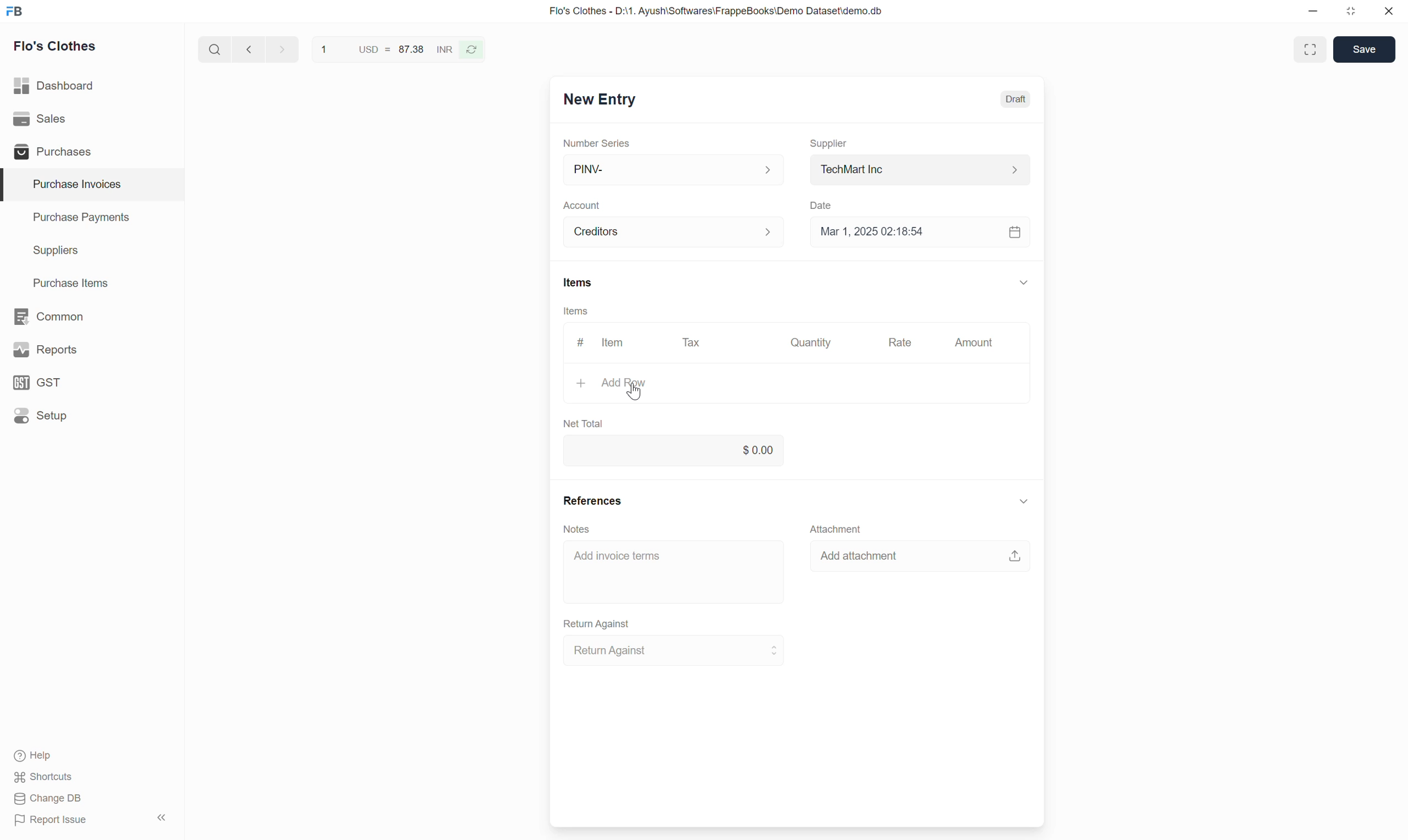 This screenshot has height=840, width=1408. What do you see at coordinates (673, 170) in the screenshot?
I see `PINV-` at bounding box center [673, 170].